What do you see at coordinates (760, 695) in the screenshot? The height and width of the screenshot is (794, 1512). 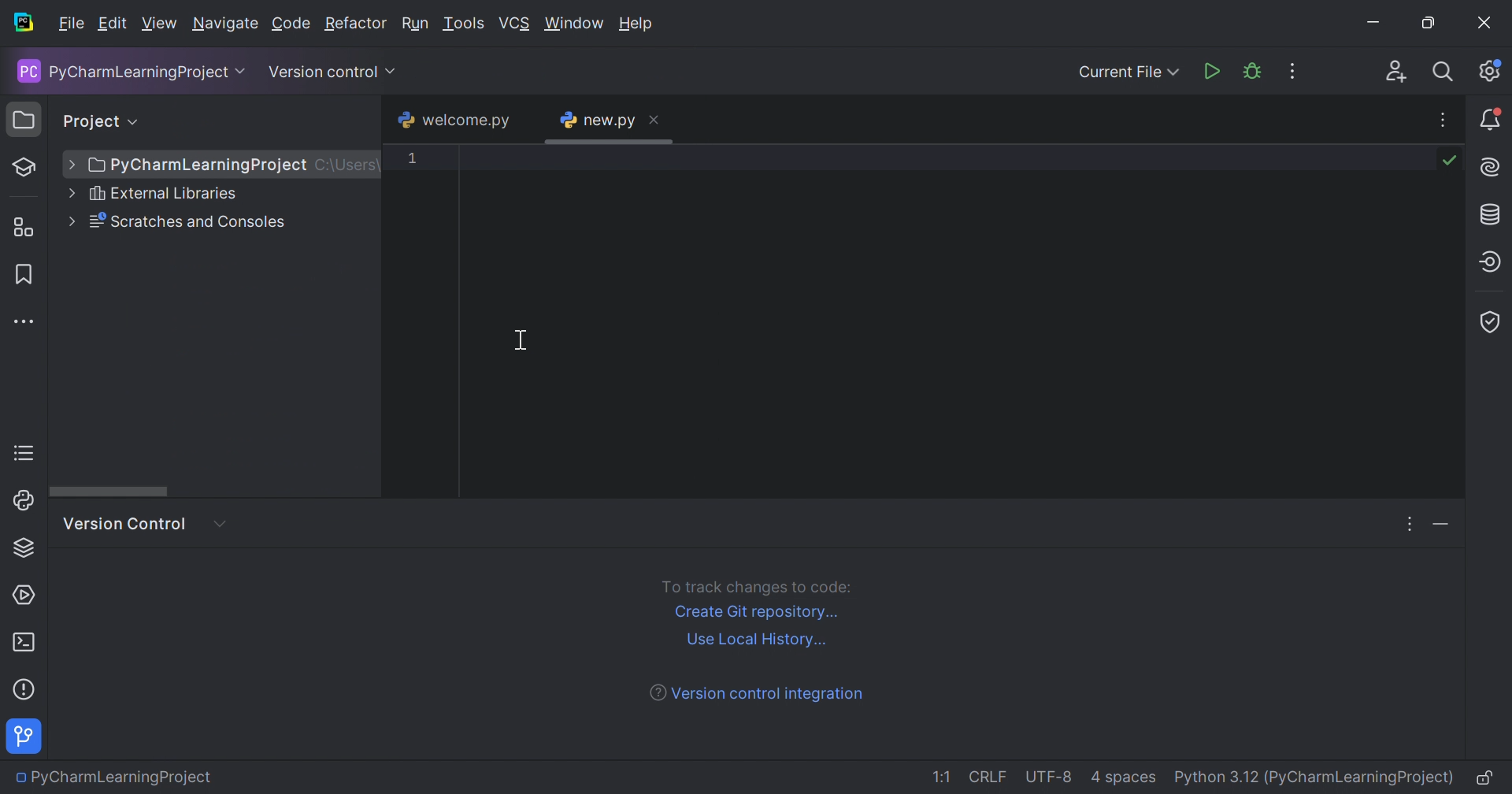 I see `Version control integration` at bounding box center [760, 695].